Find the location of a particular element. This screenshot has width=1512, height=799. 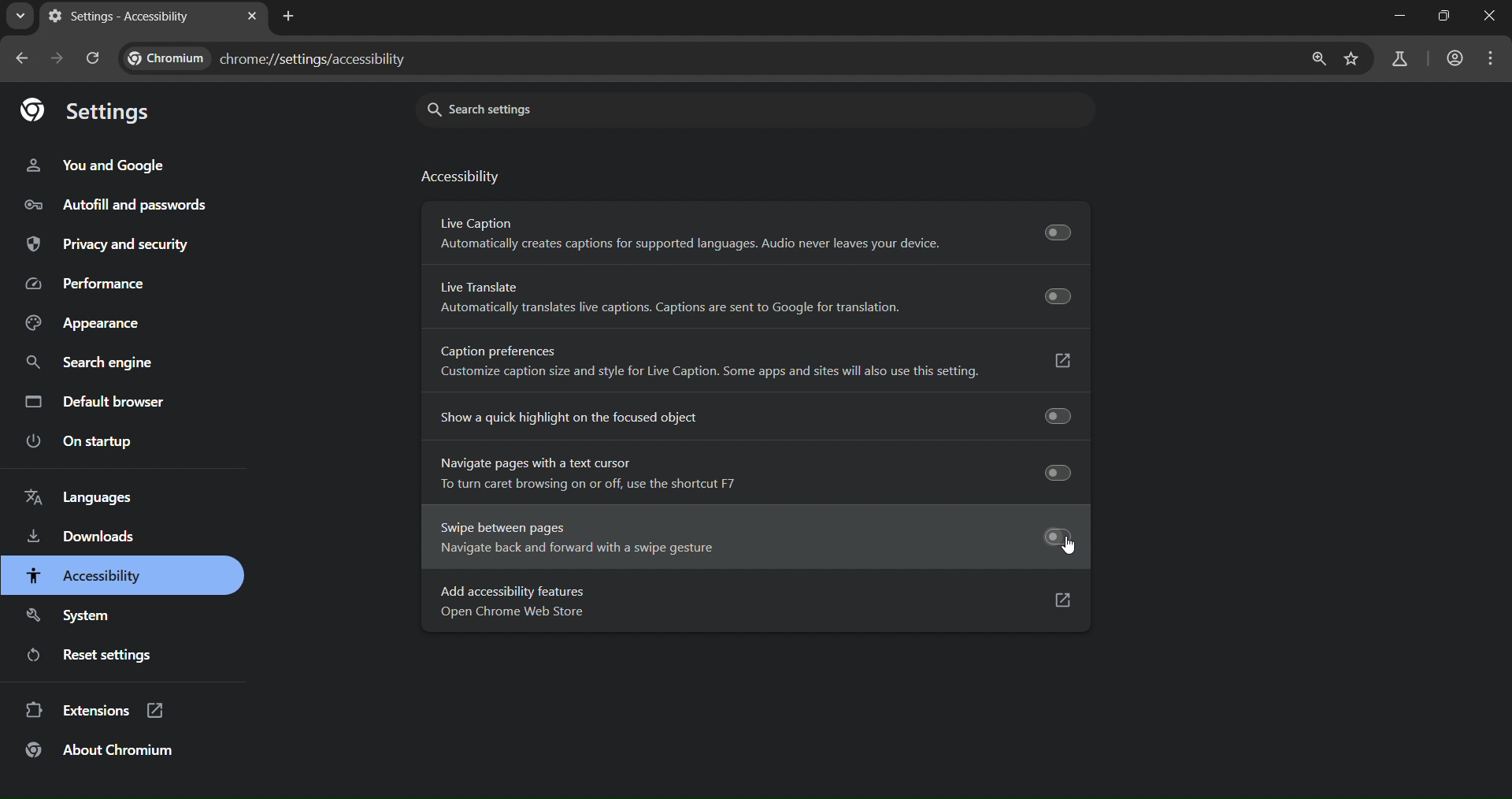

Show a quick highlight on the focused object is located at coordinates (747, 419).